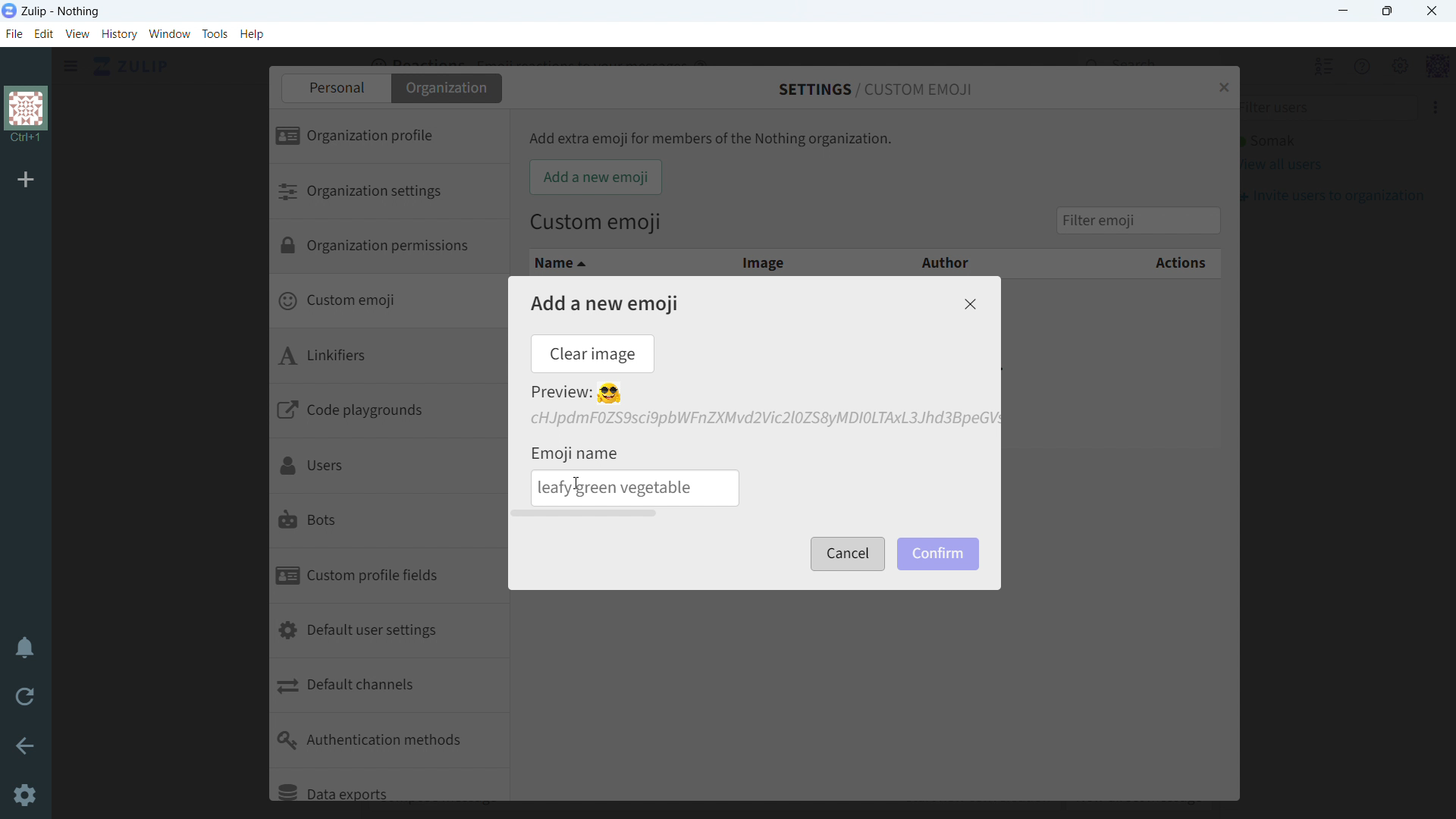 This screenshot has width=1456, height=819. I want to click on name, so click(605, 262).